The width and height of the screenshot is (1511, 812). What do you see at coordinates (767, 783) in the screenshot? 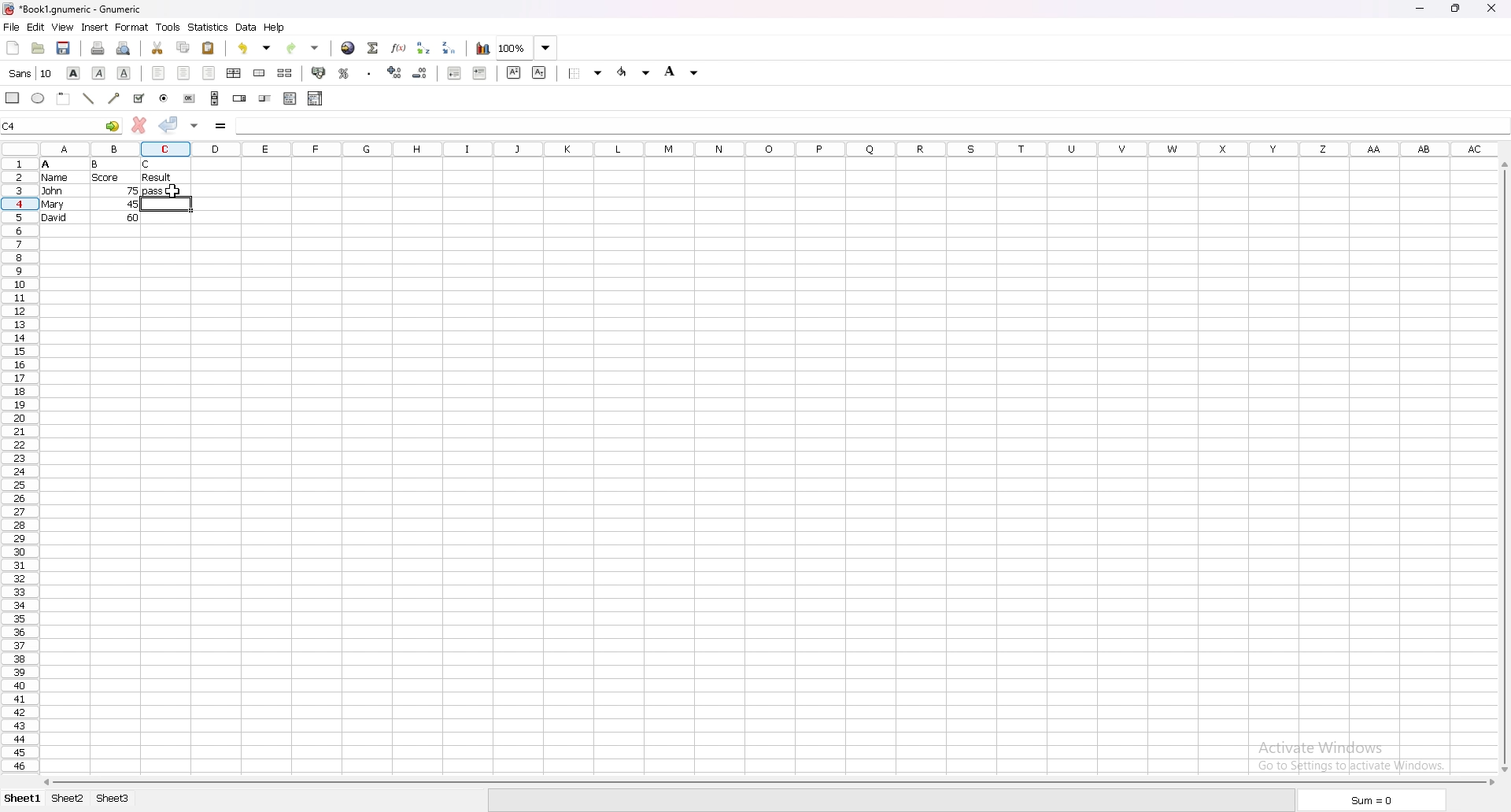
I see `scroll bar` at bounding box center [767, 783].